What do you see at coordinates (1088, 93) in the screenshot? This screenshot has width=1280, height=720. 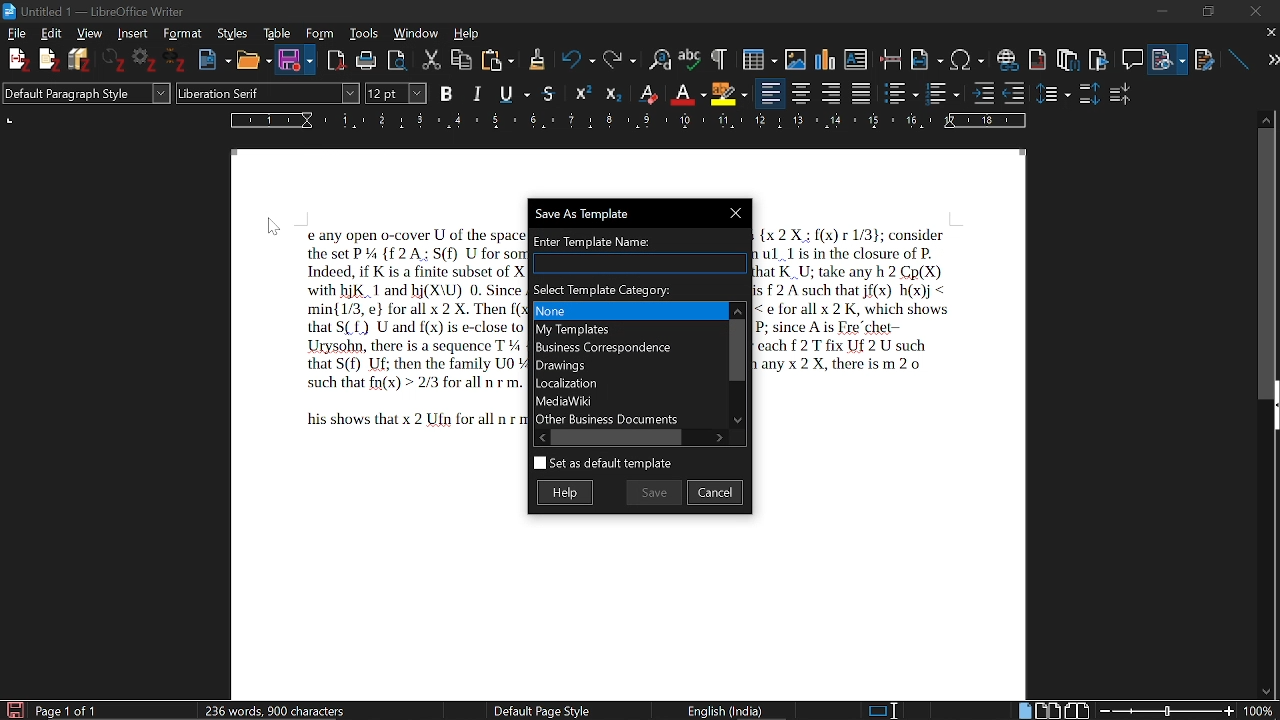 I see `increase paragraph space` at bounding box center [1088, 93].